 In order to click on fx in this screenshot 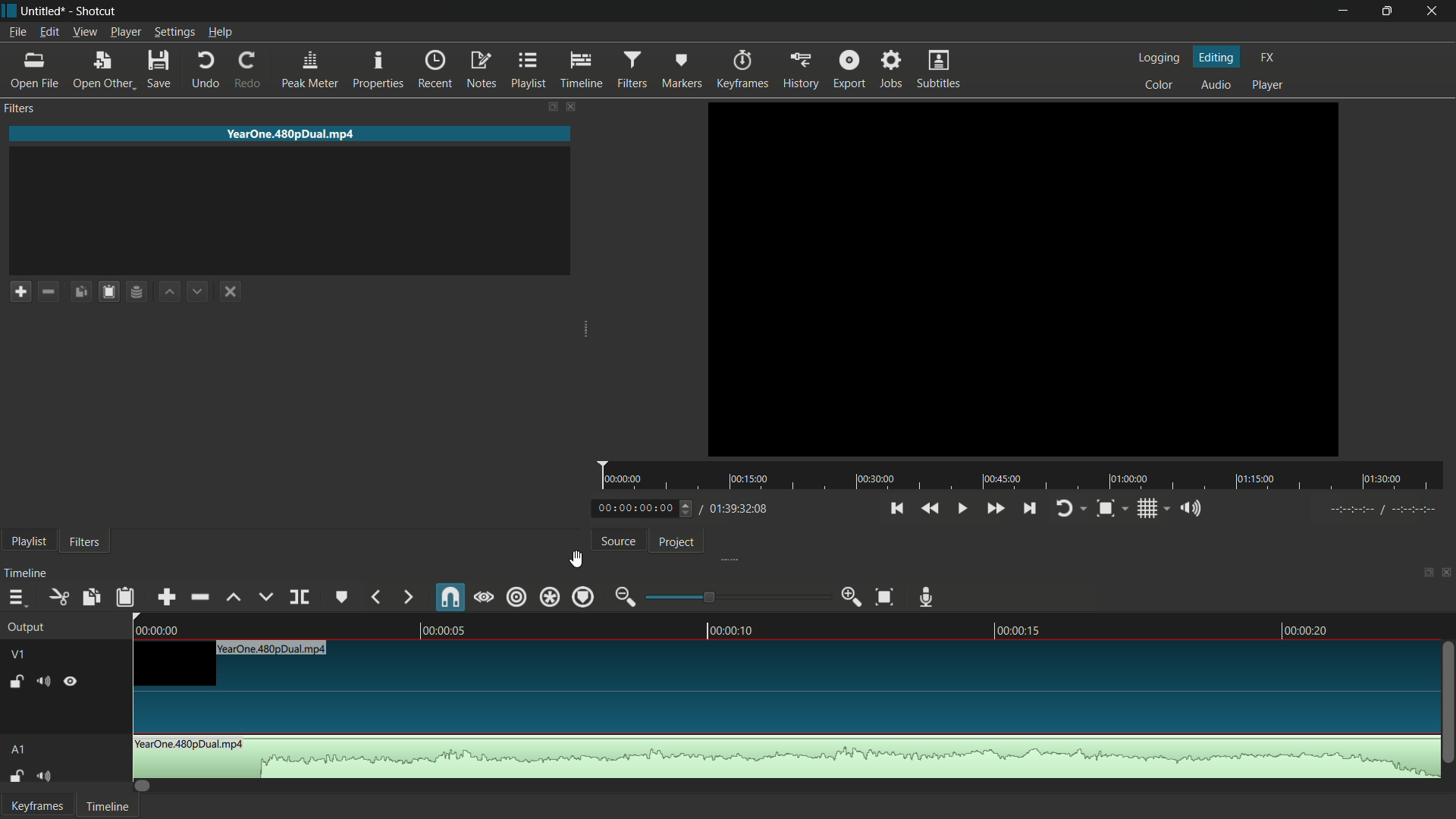, I will do `click(1266, 57)`.